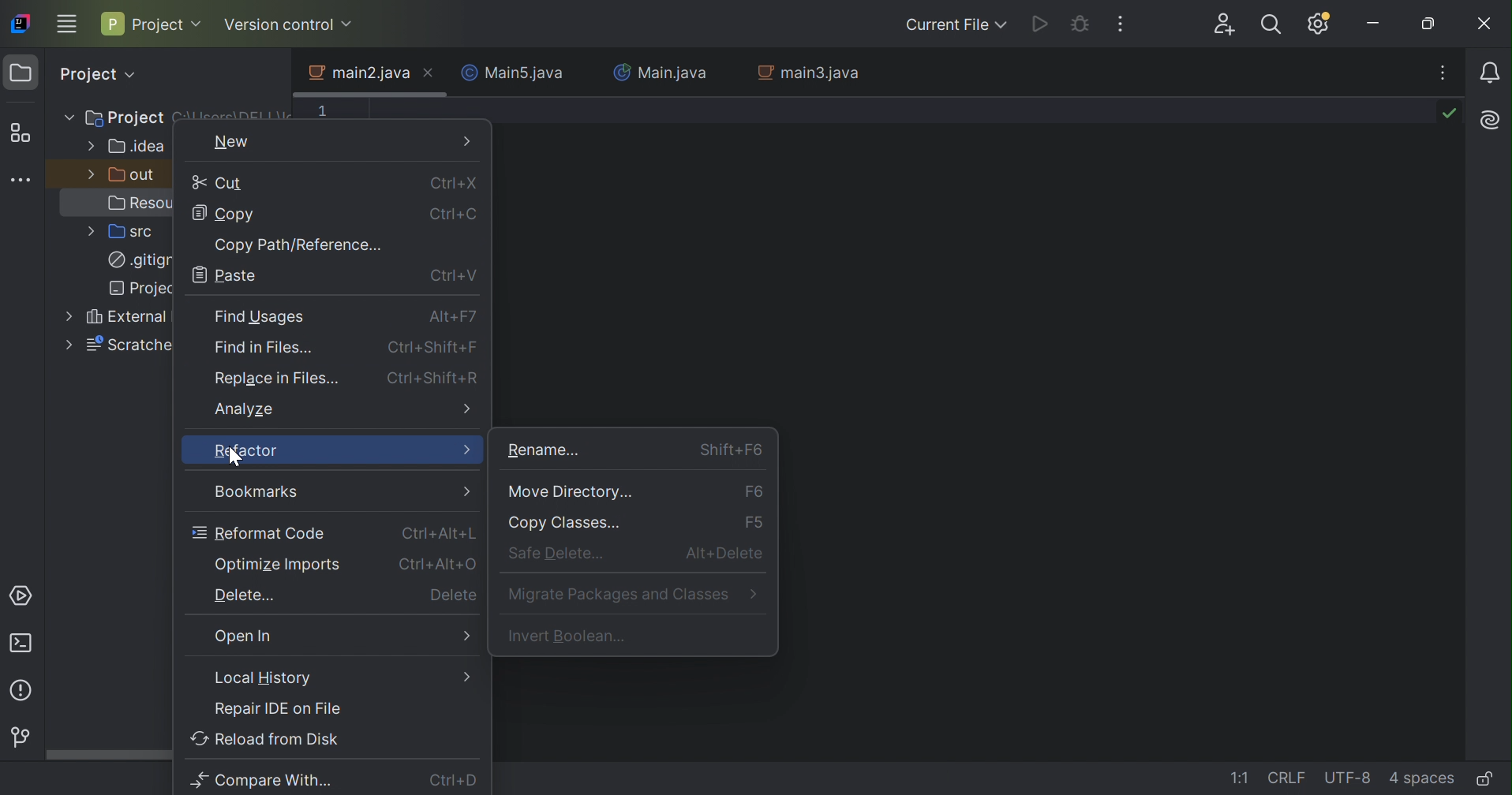  Describe the element at coordinates (572, 491) in the screenshot. I see `Move Directory` at that location.